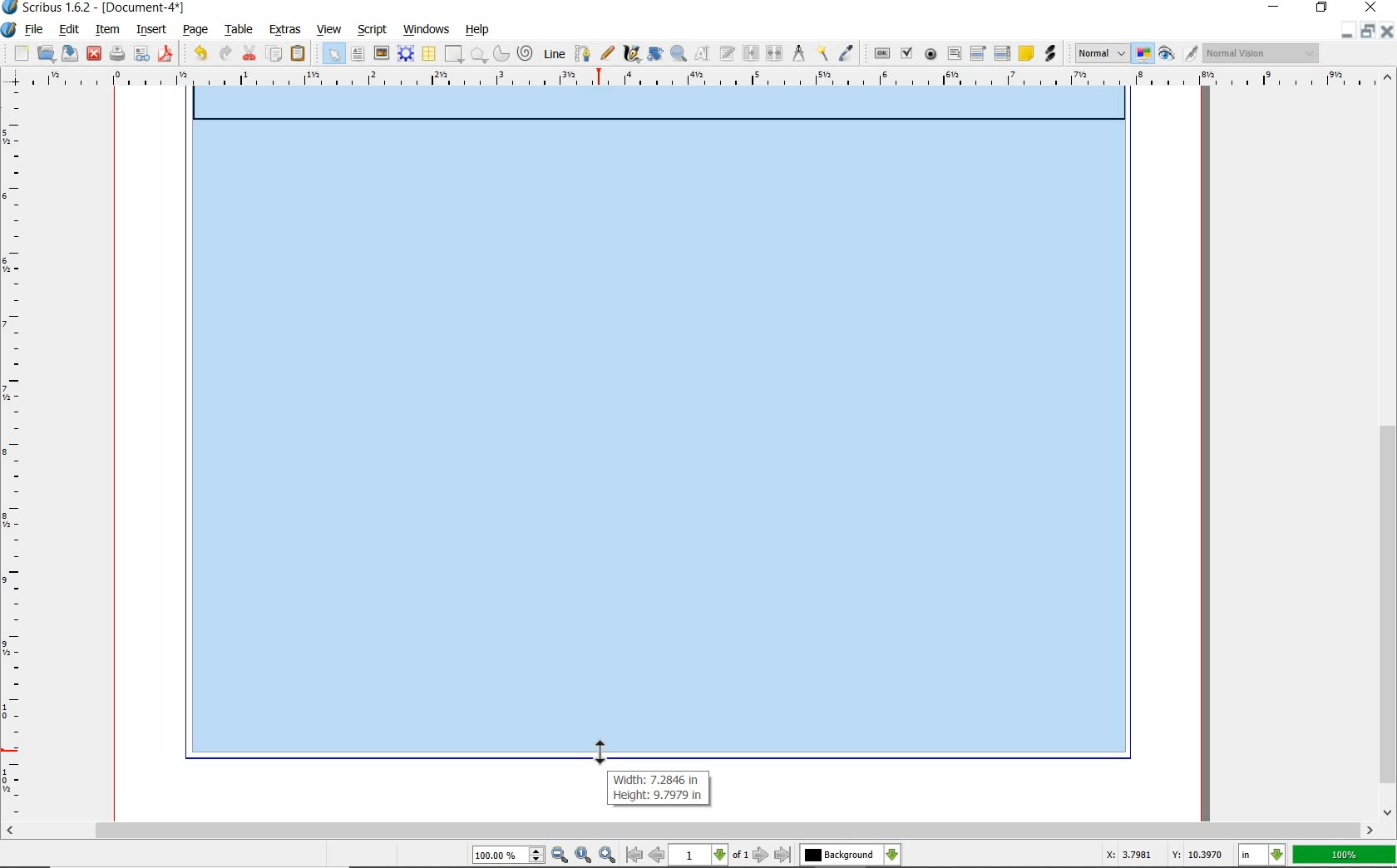  What do you see at coordinates (742, 856) in the screenshot?
I see `of 1` at bounding box center [742, 856].